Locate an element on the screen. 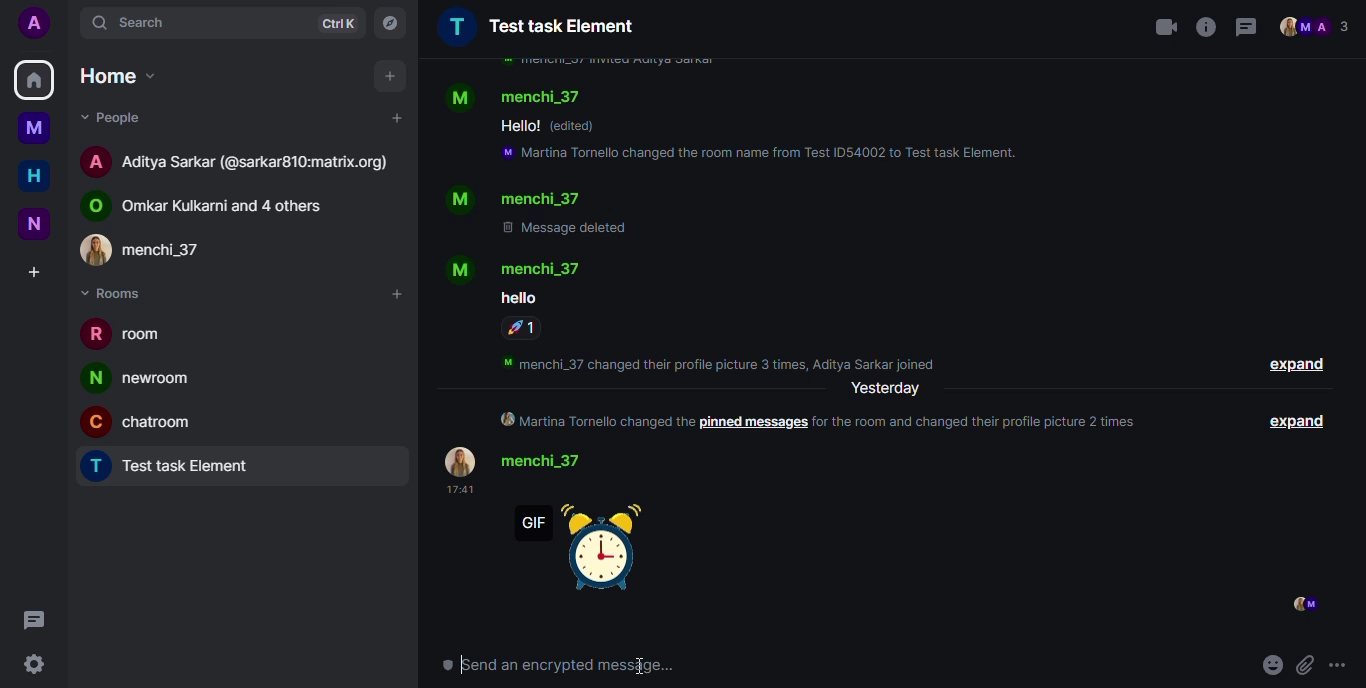 The image size is (1366, 688). add is located at coordinates (391, 76).